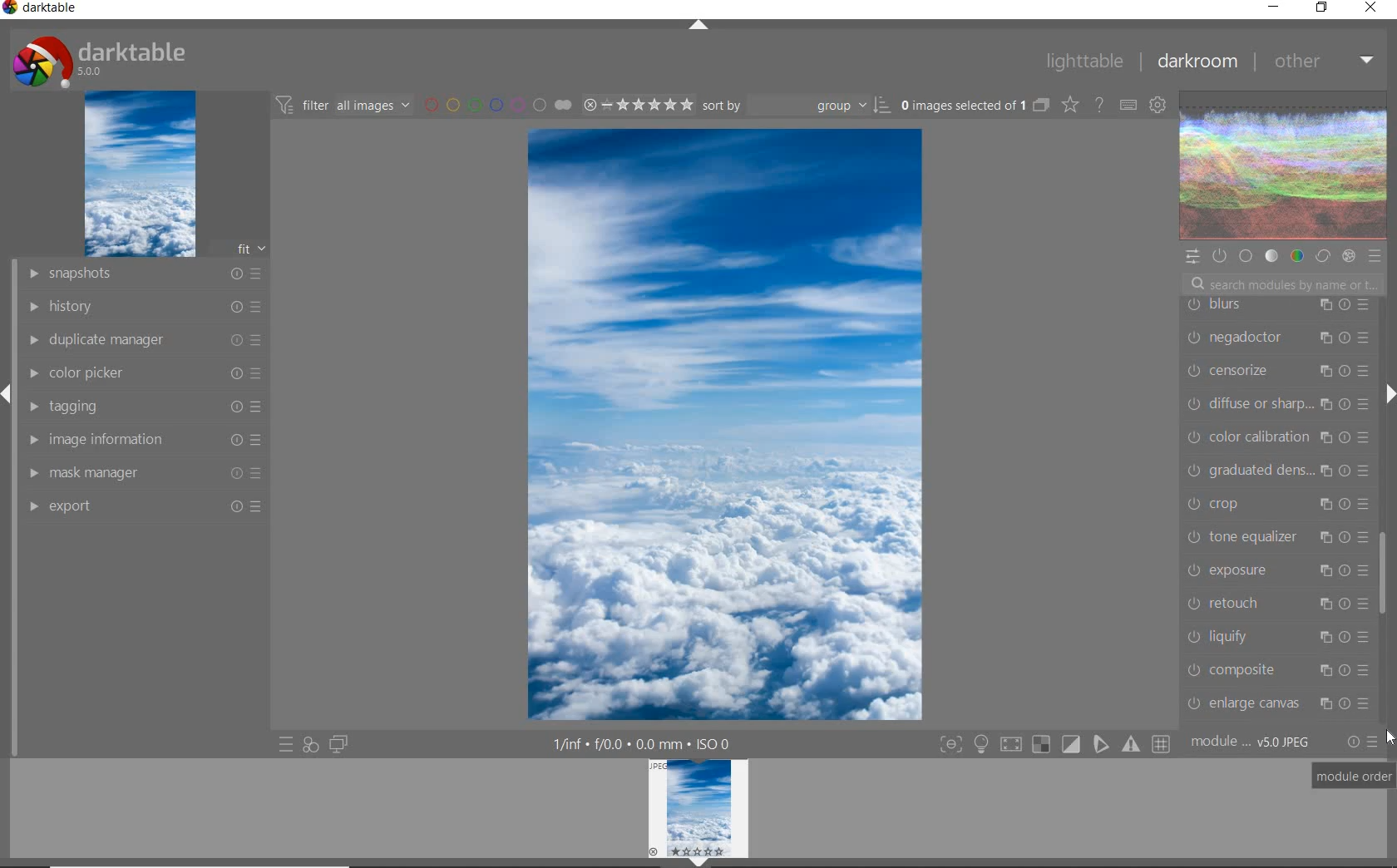 The height and width of the screenshot is (868, 1397). Describe the element at coordinates (698, 27) in the screenshot. I see `Up` at that location.